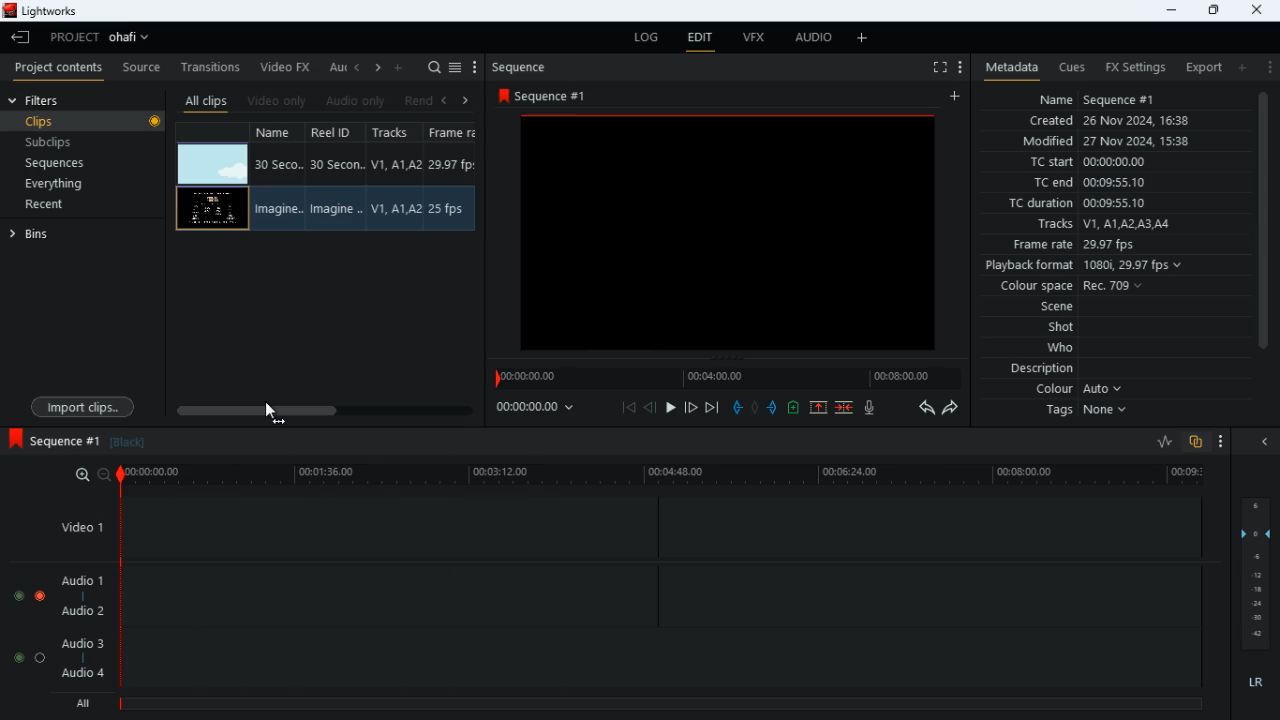 This screenshot has width=1280, height=720. What do you see at coordinates (669, 408) in the screenshot?
I see `play` at bounding box center [669, 408].